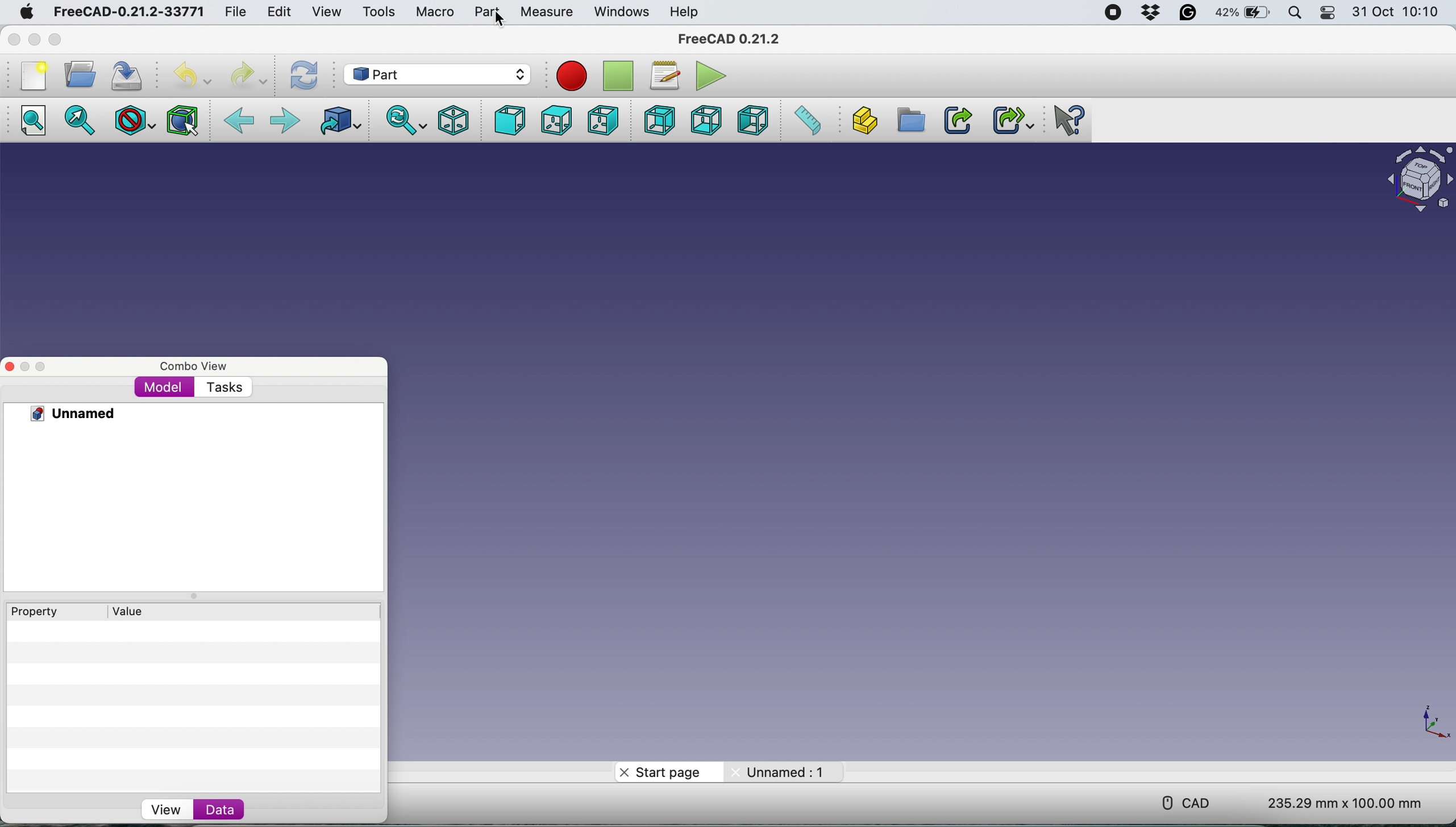 The image size is (1456, 827). I want to click on Start Page, so click(665, 771).